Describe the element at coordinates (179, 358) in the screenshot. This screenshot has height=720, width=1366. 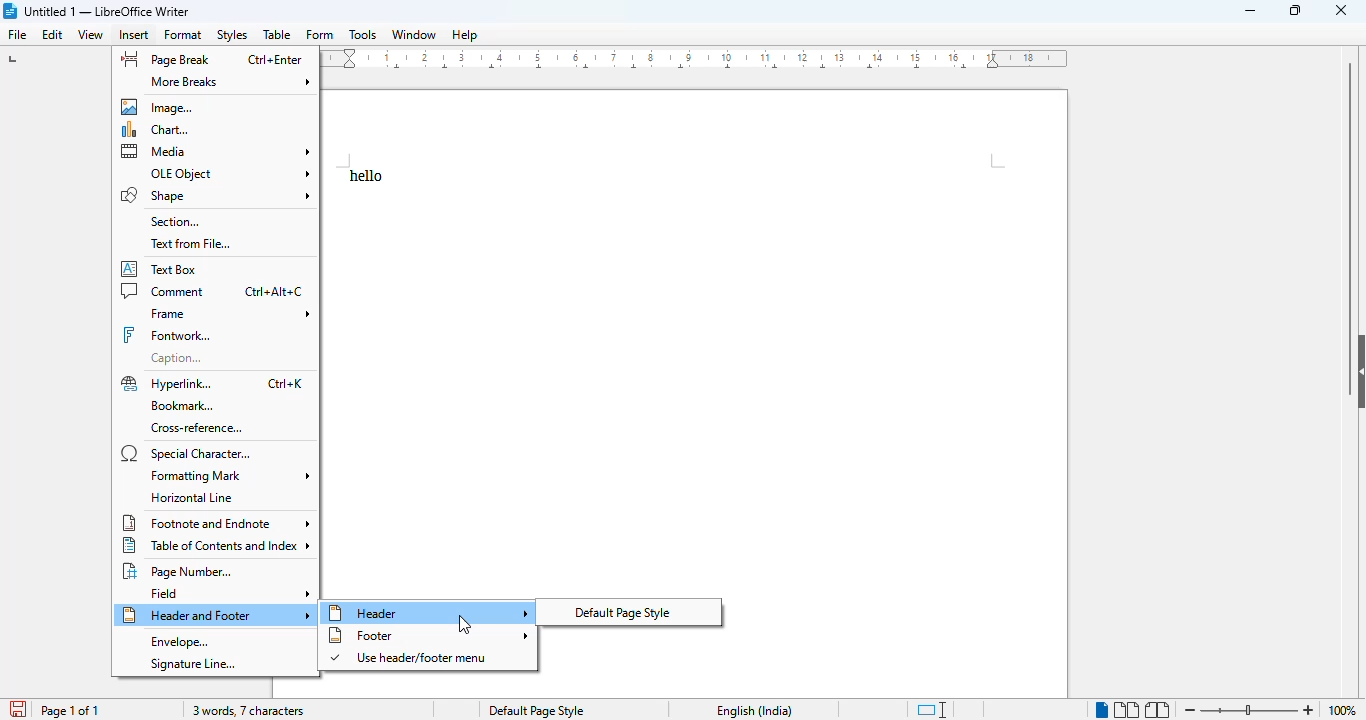
I see `caption` at that location.